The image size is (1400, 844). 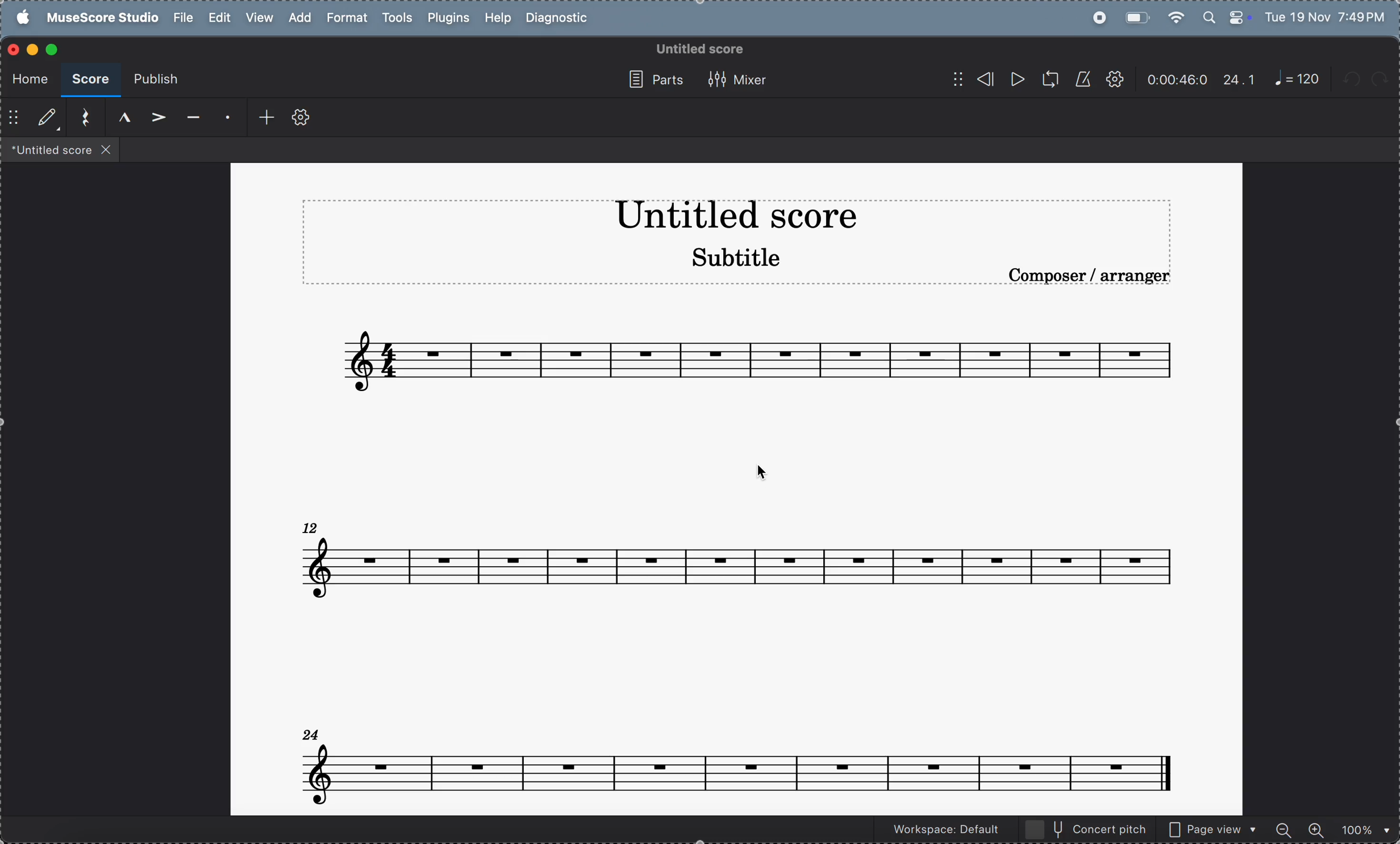 What do you see at coordinates (736, 760) in the screenshot?
I see `notes` at bounding box center [736, 760].